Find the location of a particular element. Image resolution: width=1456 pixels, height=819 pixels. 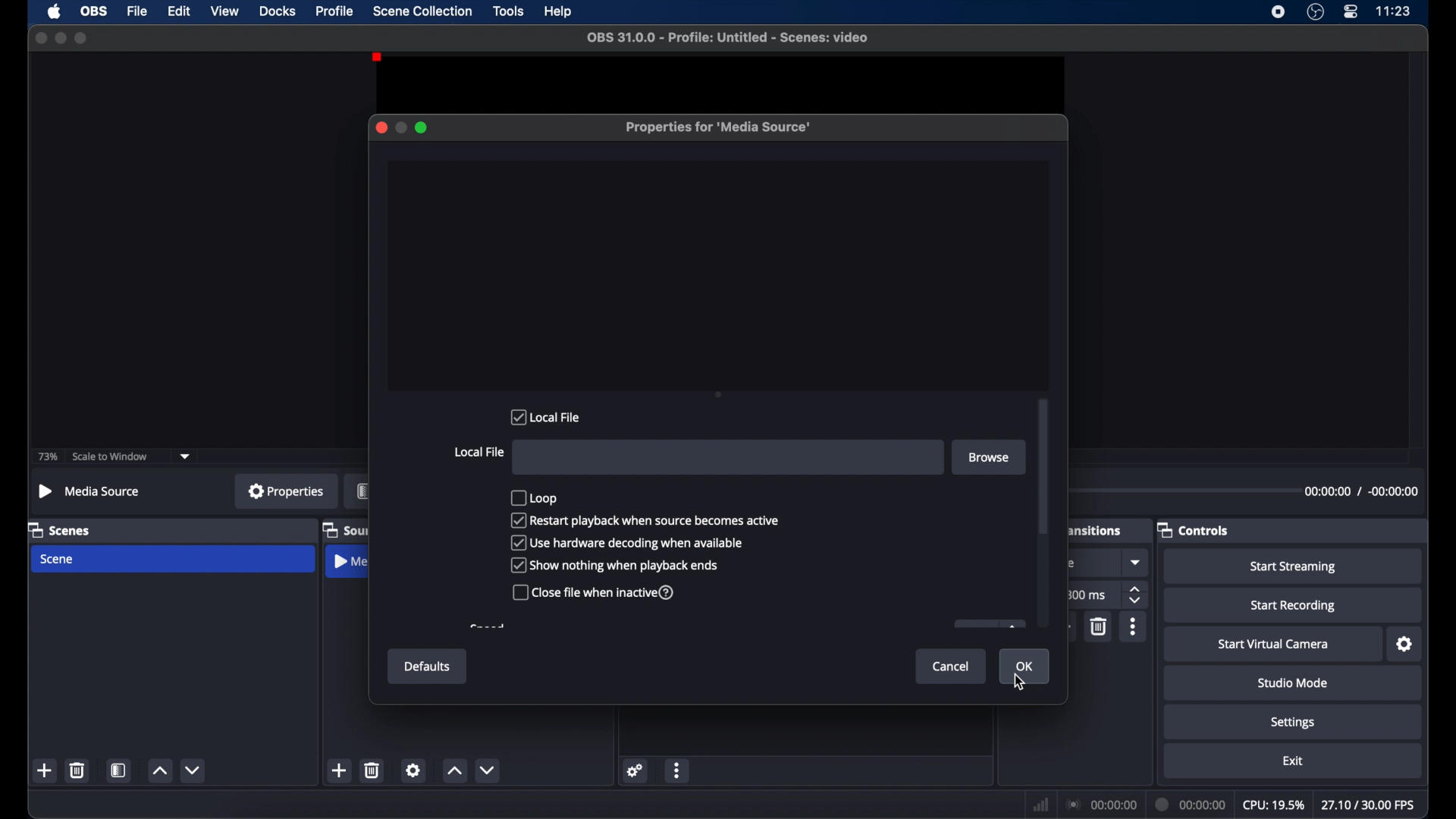

obs studio is located at coordinates (1315, 12).